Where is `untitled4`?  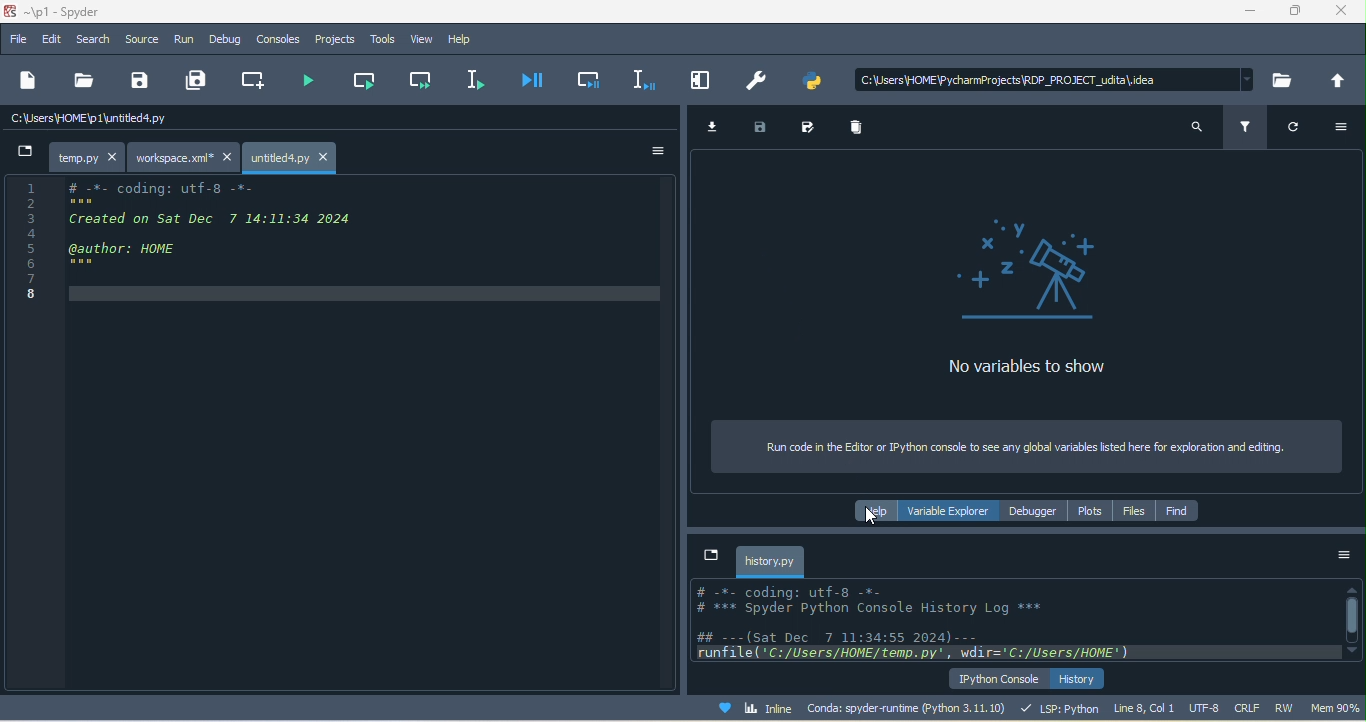
untitled4 is located at coordinates (292, 158).